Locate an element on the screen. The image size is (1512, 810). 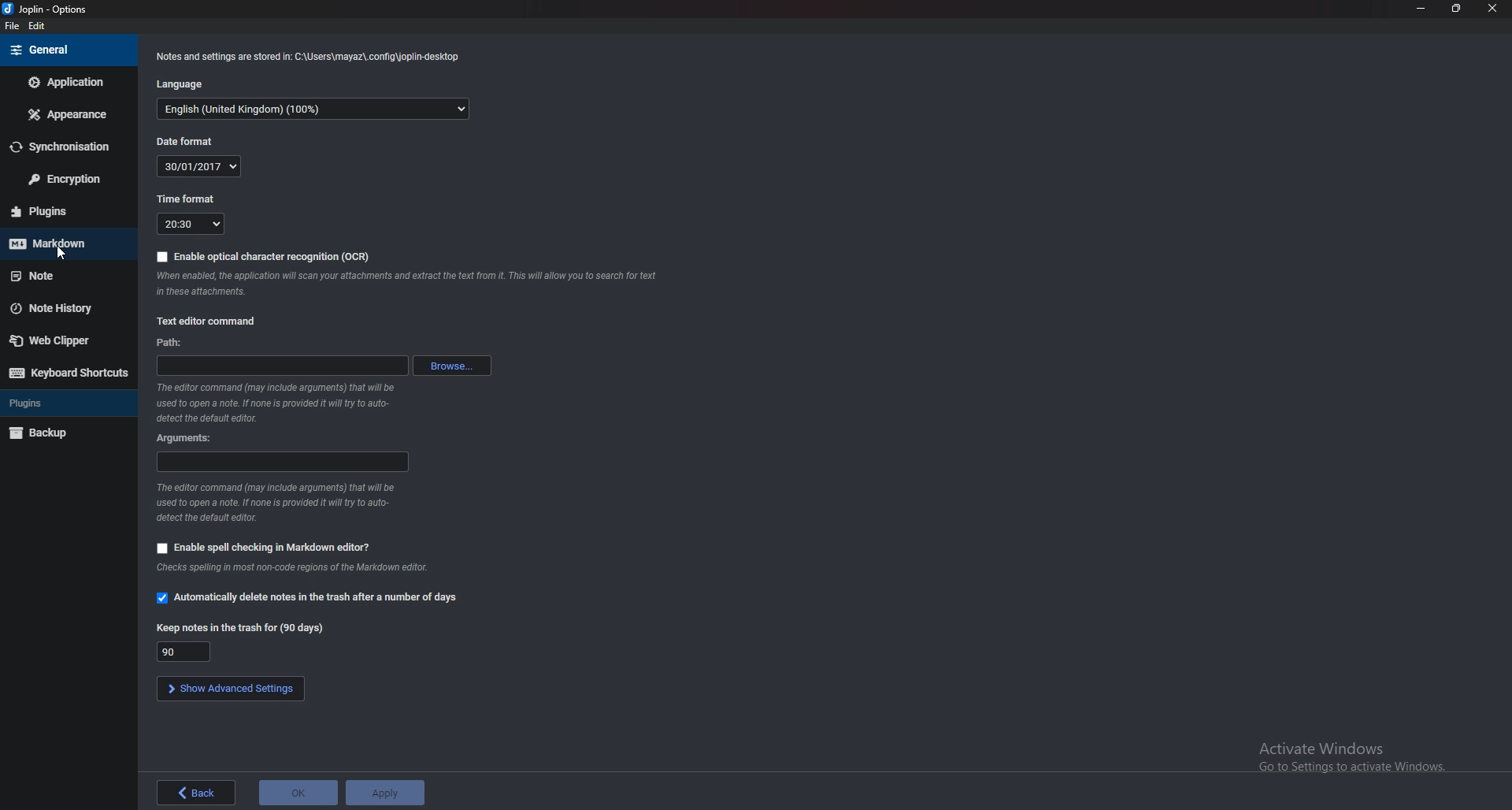
arguments is located at coordinates (280, 463).